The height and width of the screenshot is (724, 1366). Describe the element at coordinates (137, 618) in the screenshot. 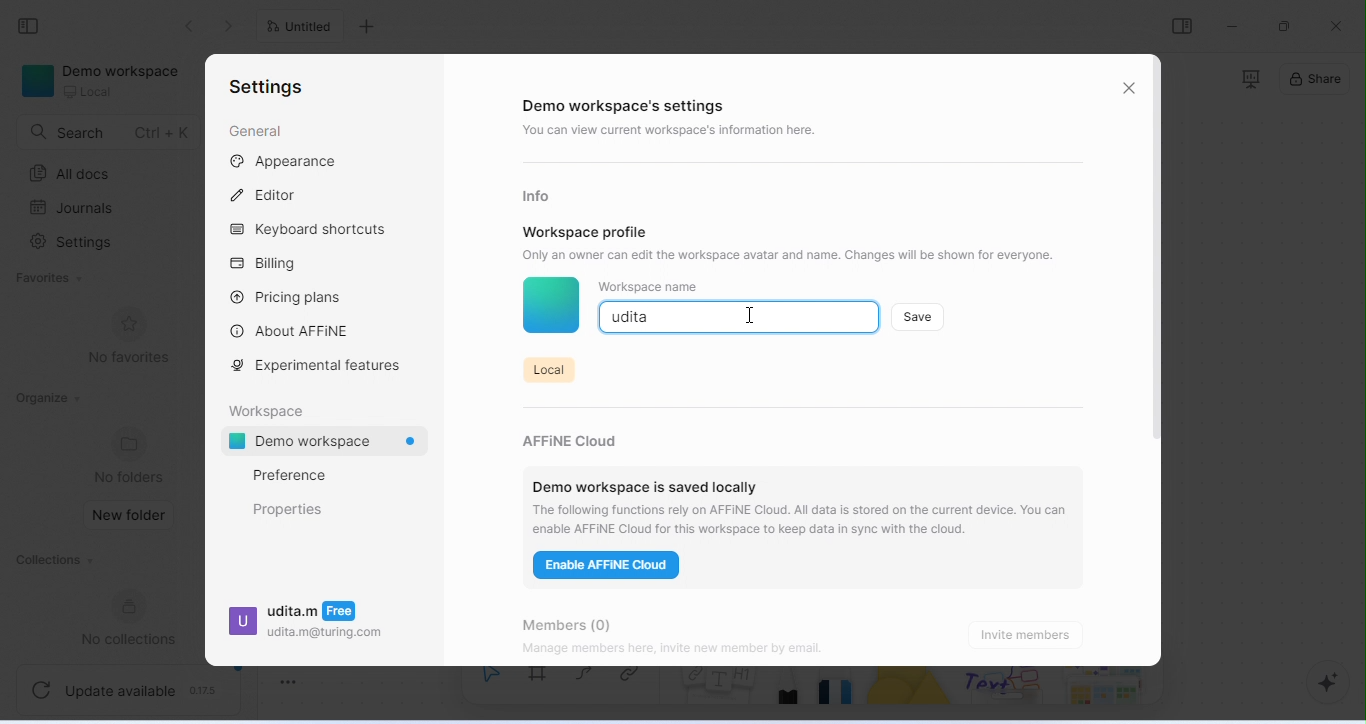

I see `new collections` at that location.